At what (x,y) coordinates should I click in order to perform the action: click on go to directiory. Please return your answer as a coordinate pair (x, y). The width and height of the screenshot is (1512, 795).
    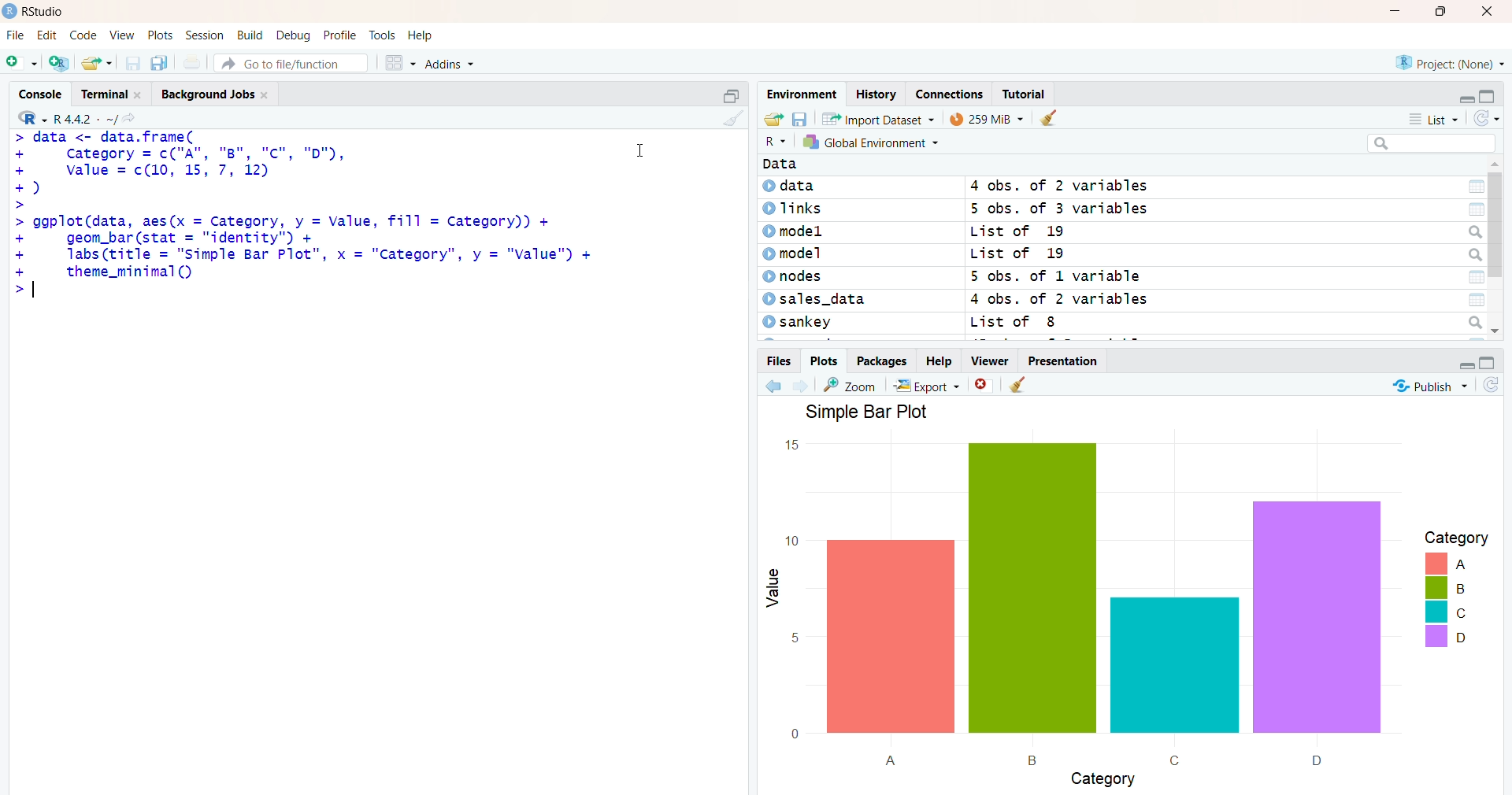
    Looking at the image, I should click on (133, 118).